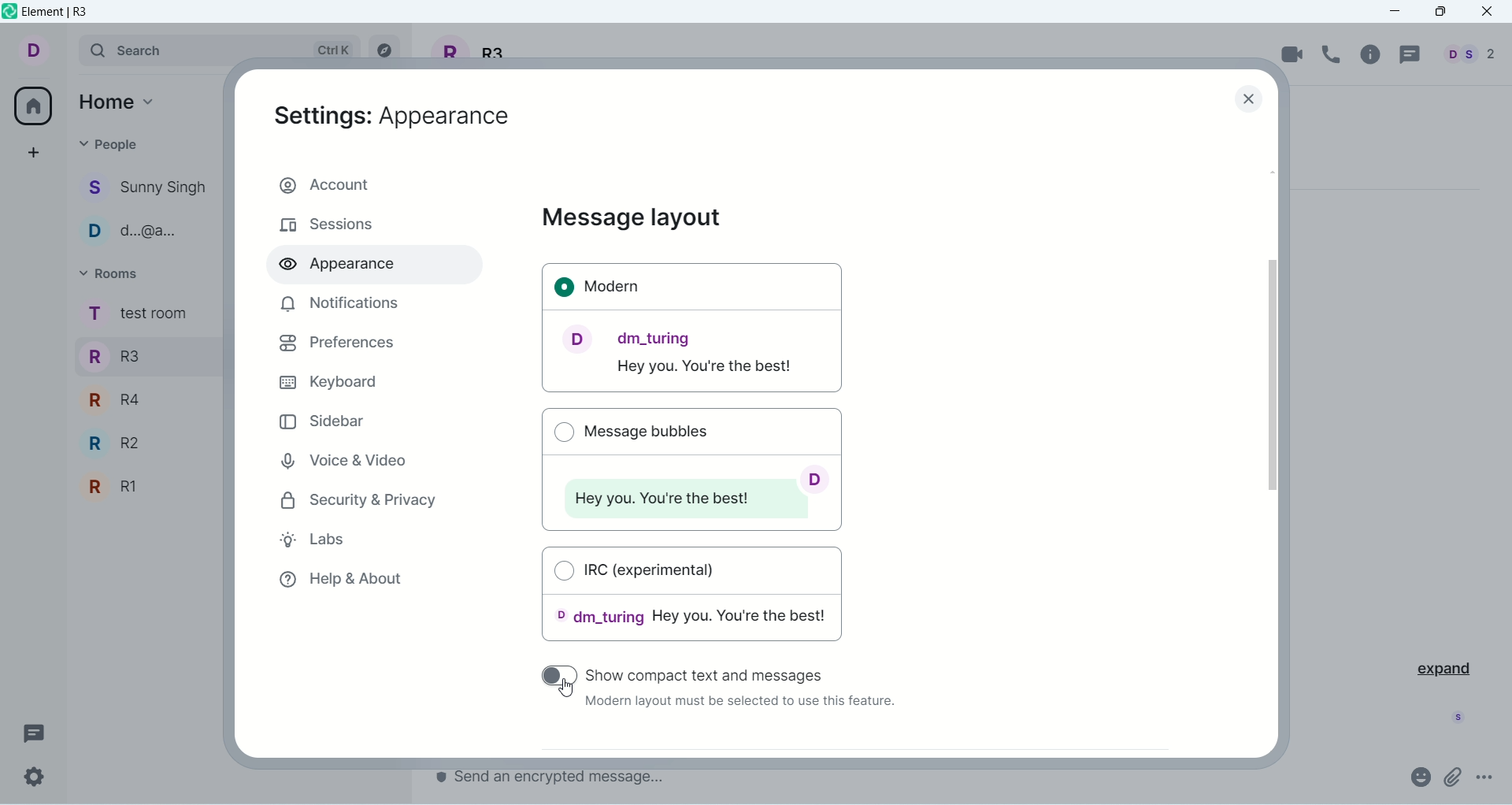  What do you see at coordinates (35, 777) in the screenshot?
I see `settings` at bounding box center [35, 777].